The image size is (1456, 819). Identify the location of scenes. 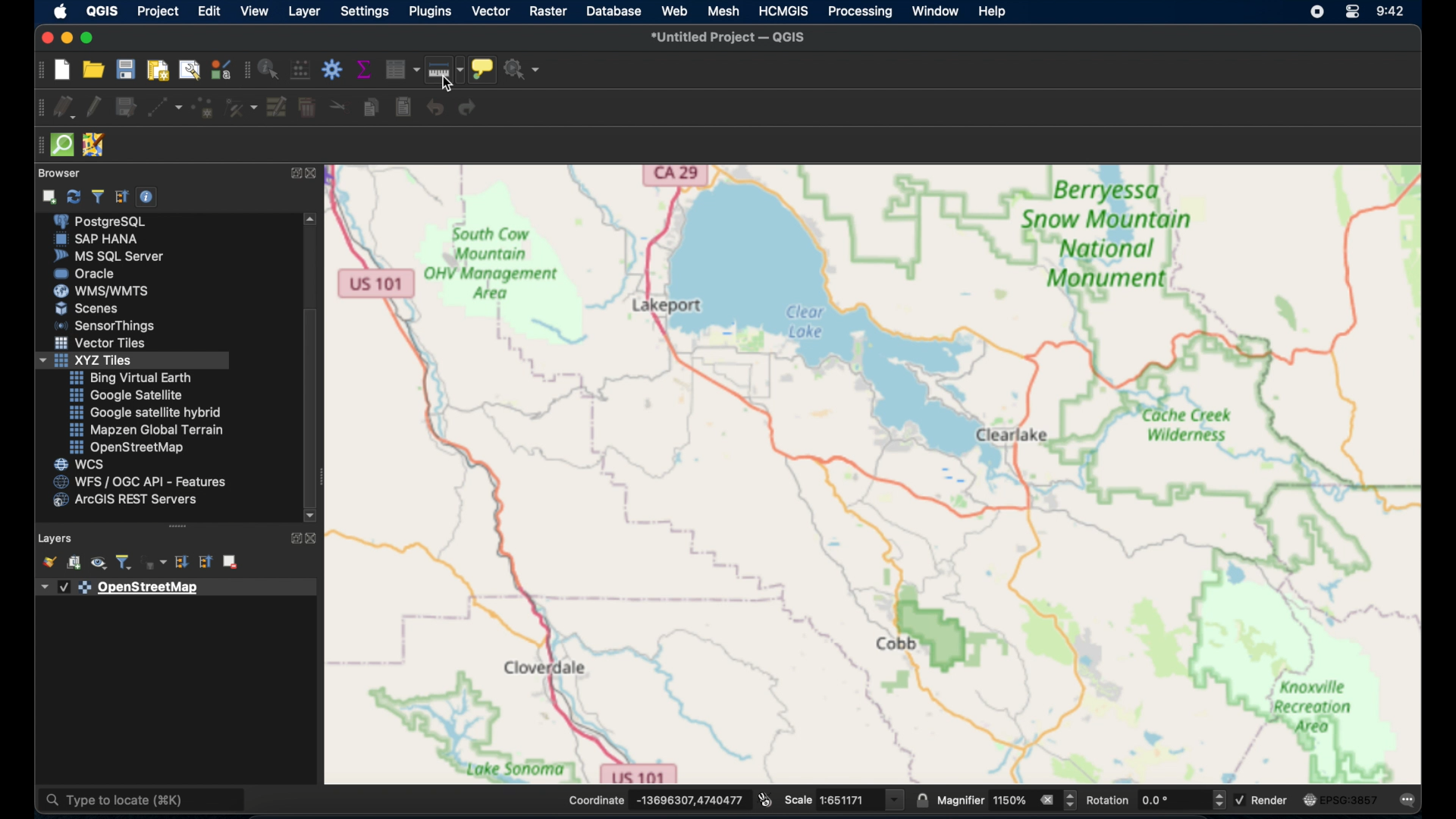
(87, 308).